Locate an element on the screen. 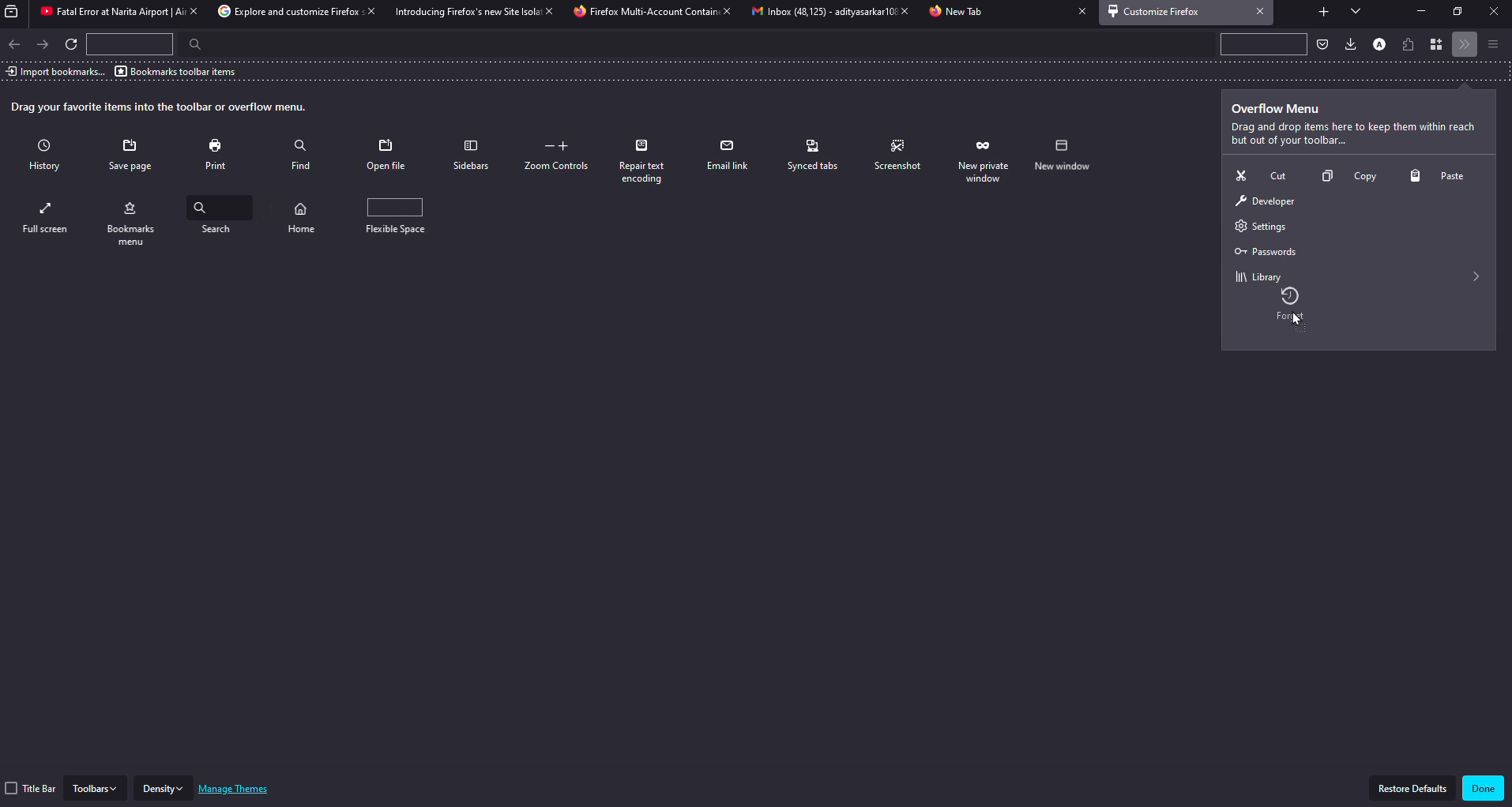  tab is located at coordinates (644, 13).